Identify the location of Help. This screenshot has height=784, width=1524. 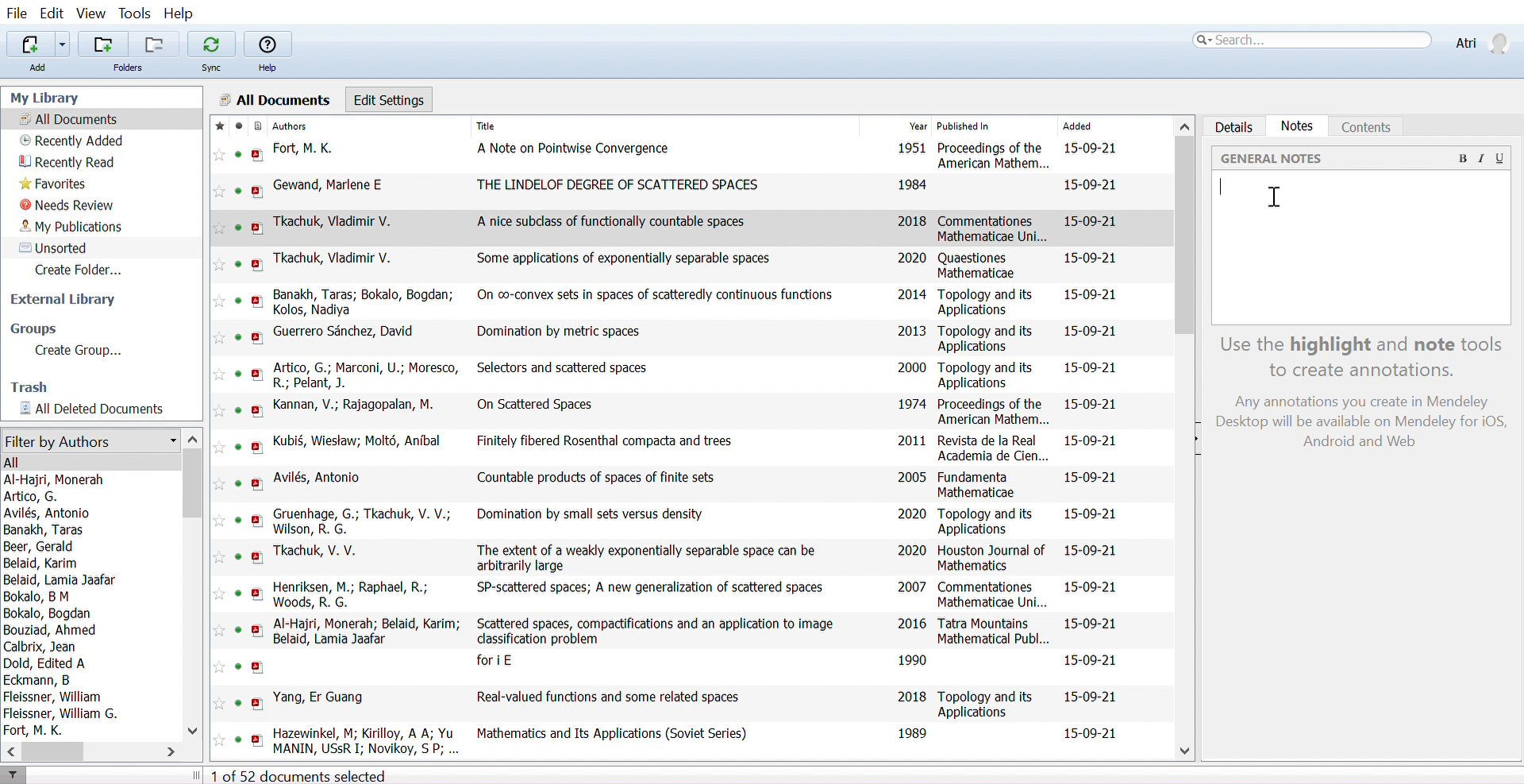
(269, 68).